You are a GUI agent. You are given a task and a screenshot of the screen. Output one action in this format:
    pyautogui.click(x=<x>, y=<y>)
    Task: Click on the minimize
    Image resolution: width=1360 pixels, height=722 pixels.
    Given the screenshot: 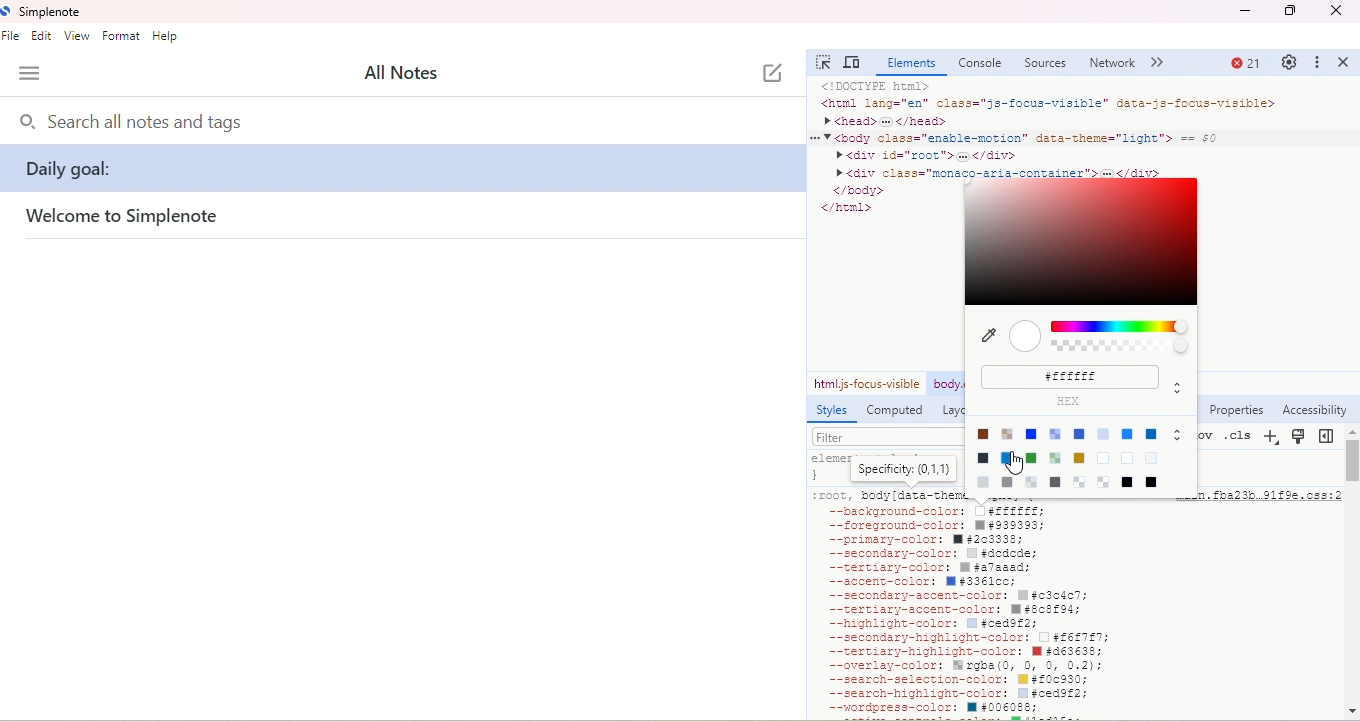 What is the action you would take?
    pyautogui.click(x=1242, y=13)
    